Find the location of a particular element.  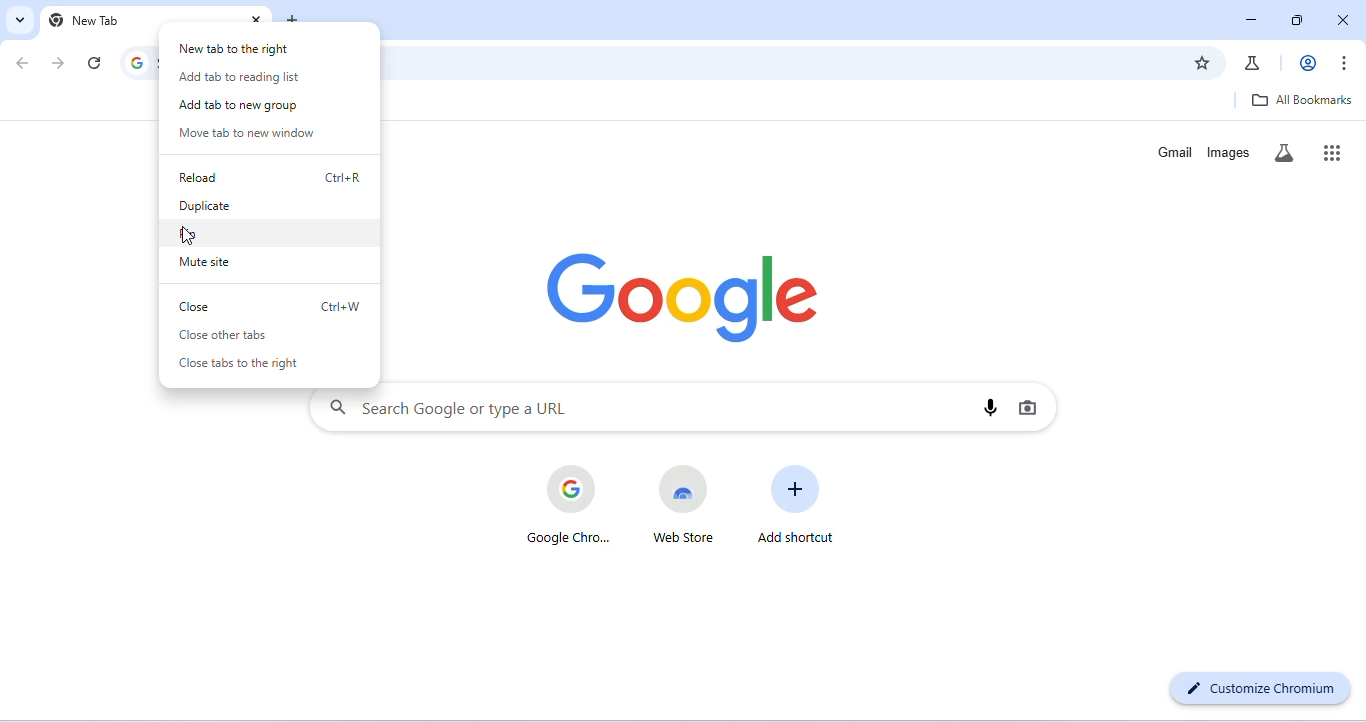

search google or type a URL is located at coordinates (139, 63).